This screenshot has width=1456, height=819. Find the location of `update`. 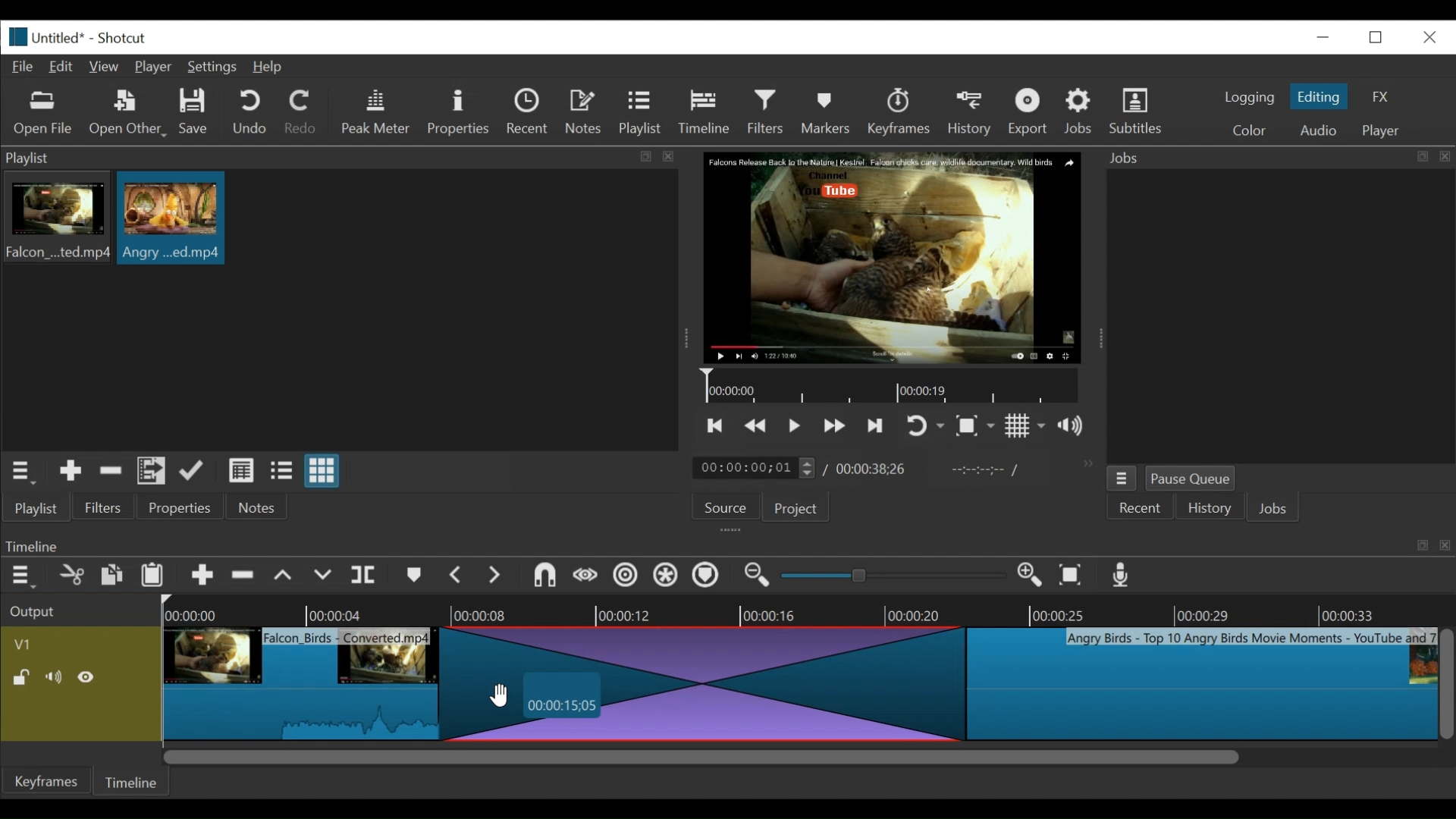

update is located at coordinates (195, 474).